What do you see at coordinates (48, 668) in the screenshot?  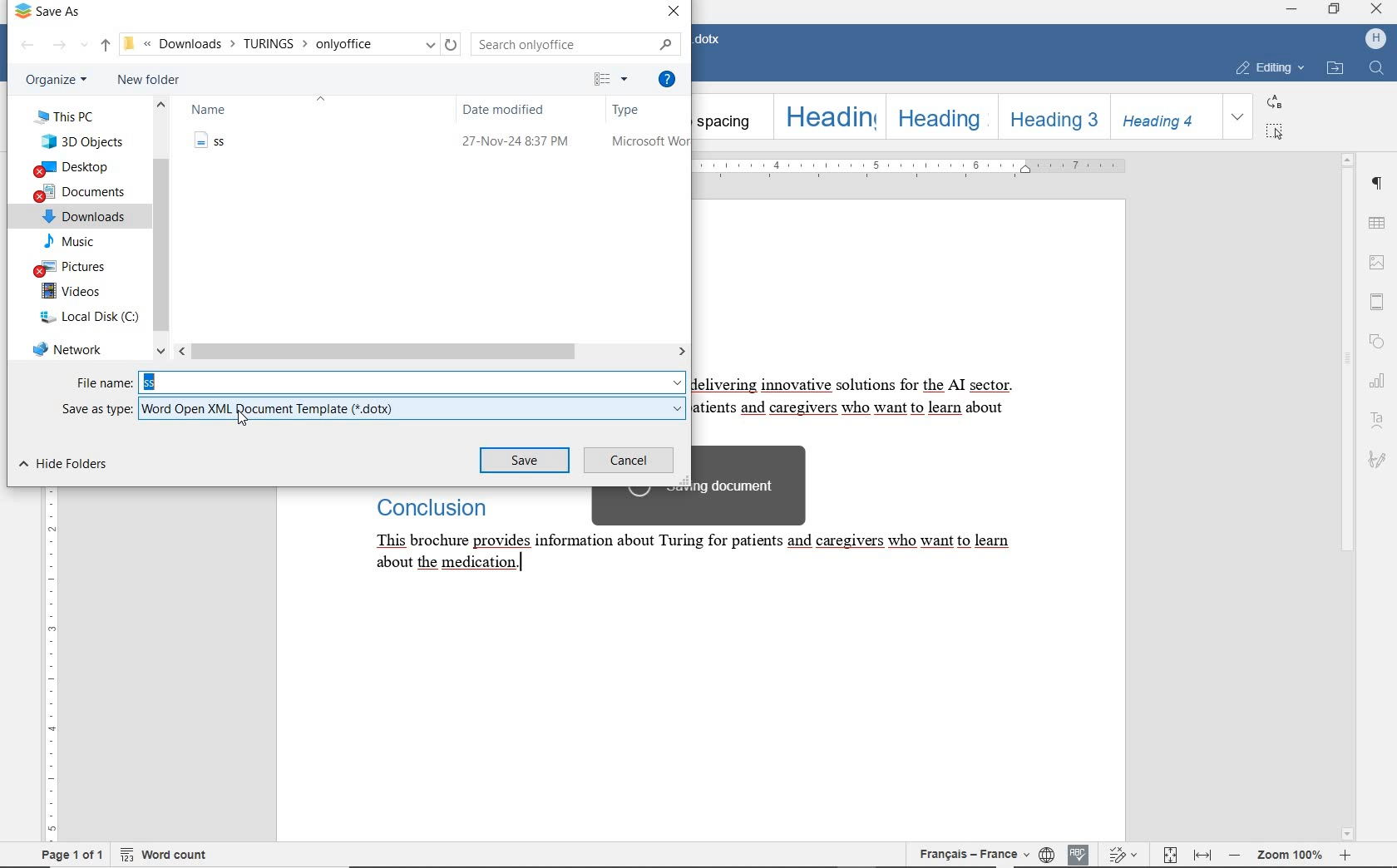 I see `RULER` at bounding box center [48, 668].